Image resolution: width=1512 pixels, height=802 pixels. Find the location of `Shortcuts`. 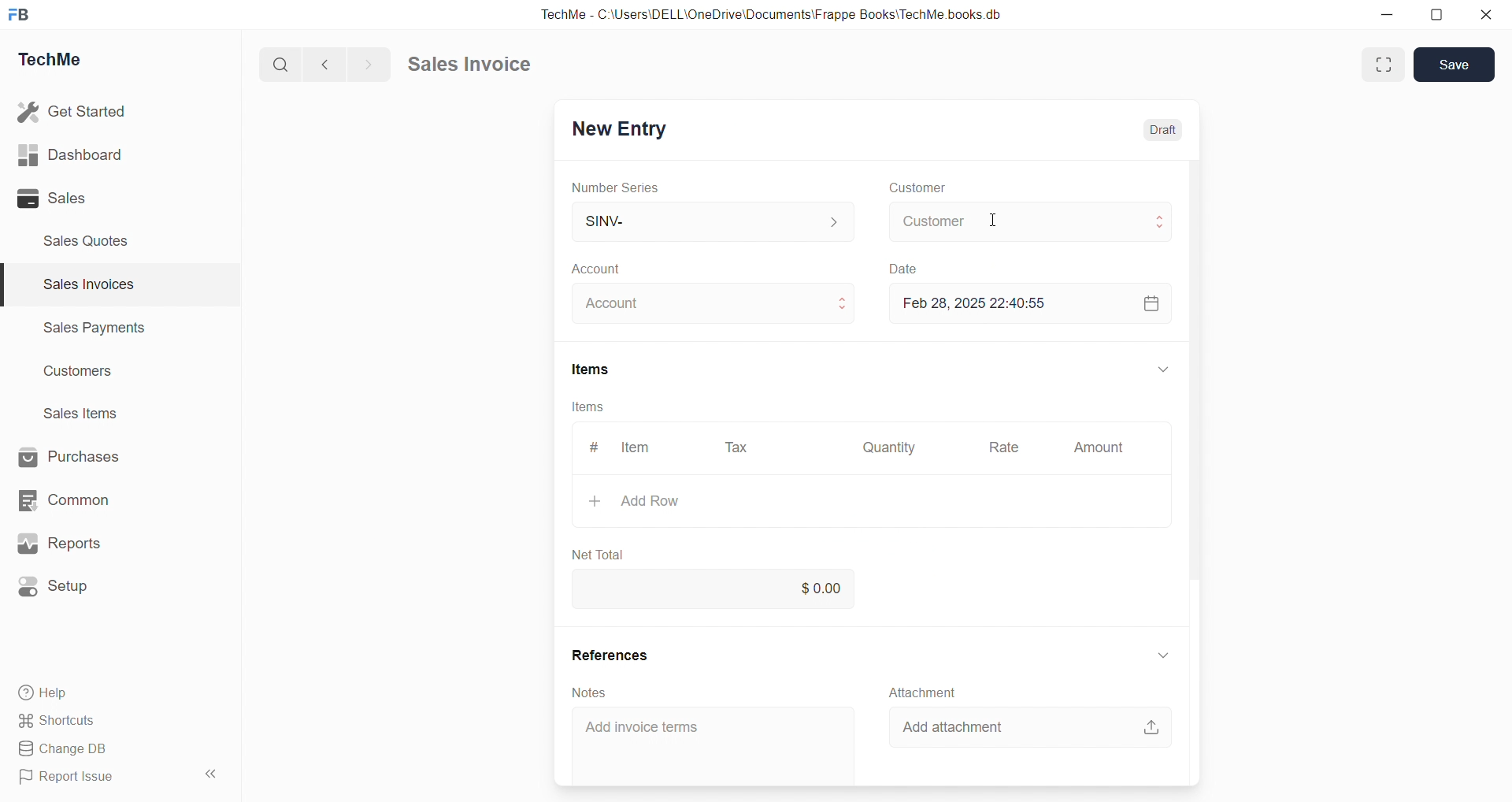

Shortcuts is located at coordinates (59, 721).